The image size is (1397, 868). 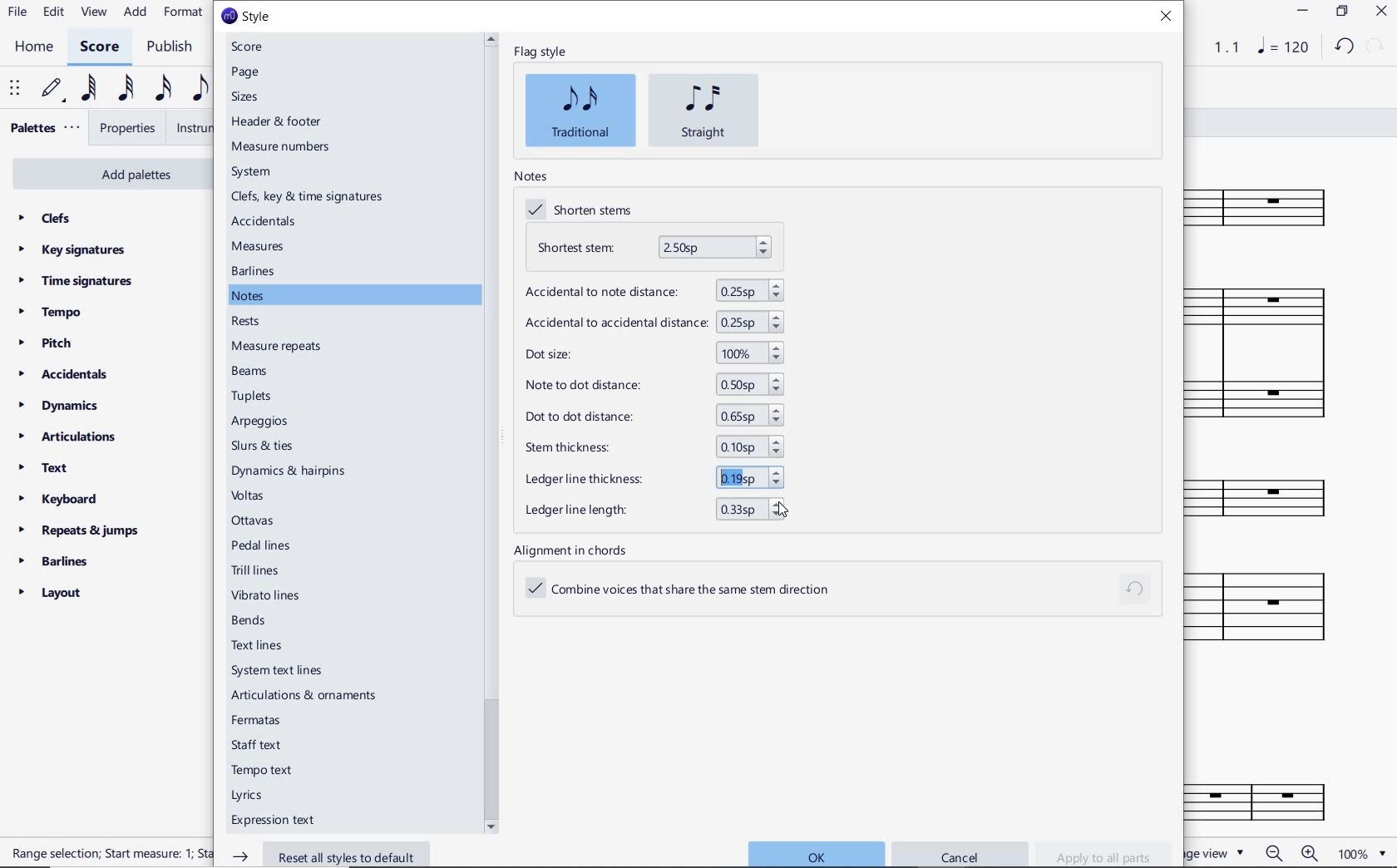 What do you see at coordinates (281, 819) in the screenshot?
I see `expression text` at bounding box center [281, 819].